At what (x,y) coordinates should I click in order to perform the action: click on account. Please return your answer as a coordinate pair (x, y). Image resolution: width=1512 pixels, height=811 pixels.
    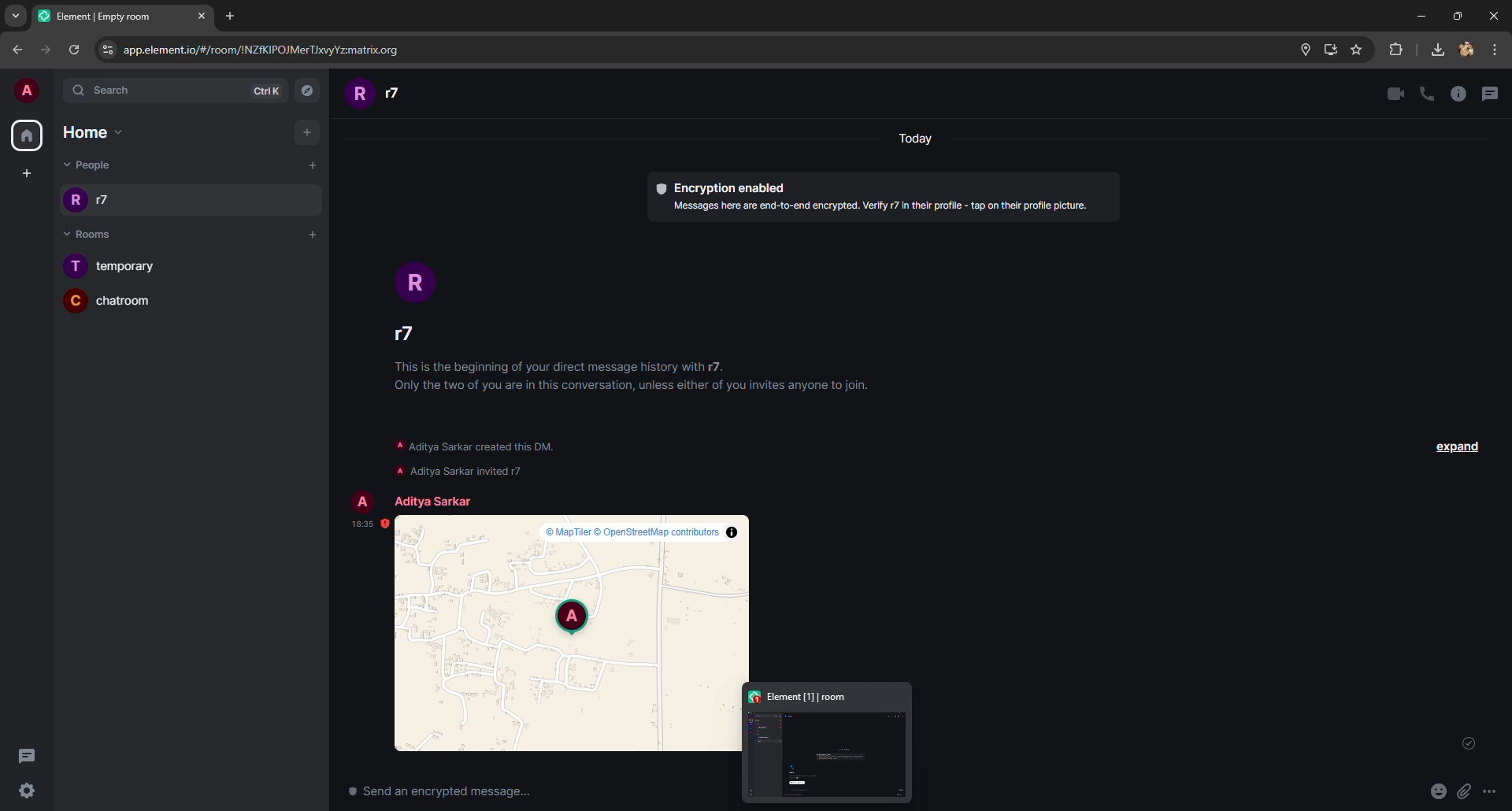
    Looking at the image, I should click on (1465, 50).